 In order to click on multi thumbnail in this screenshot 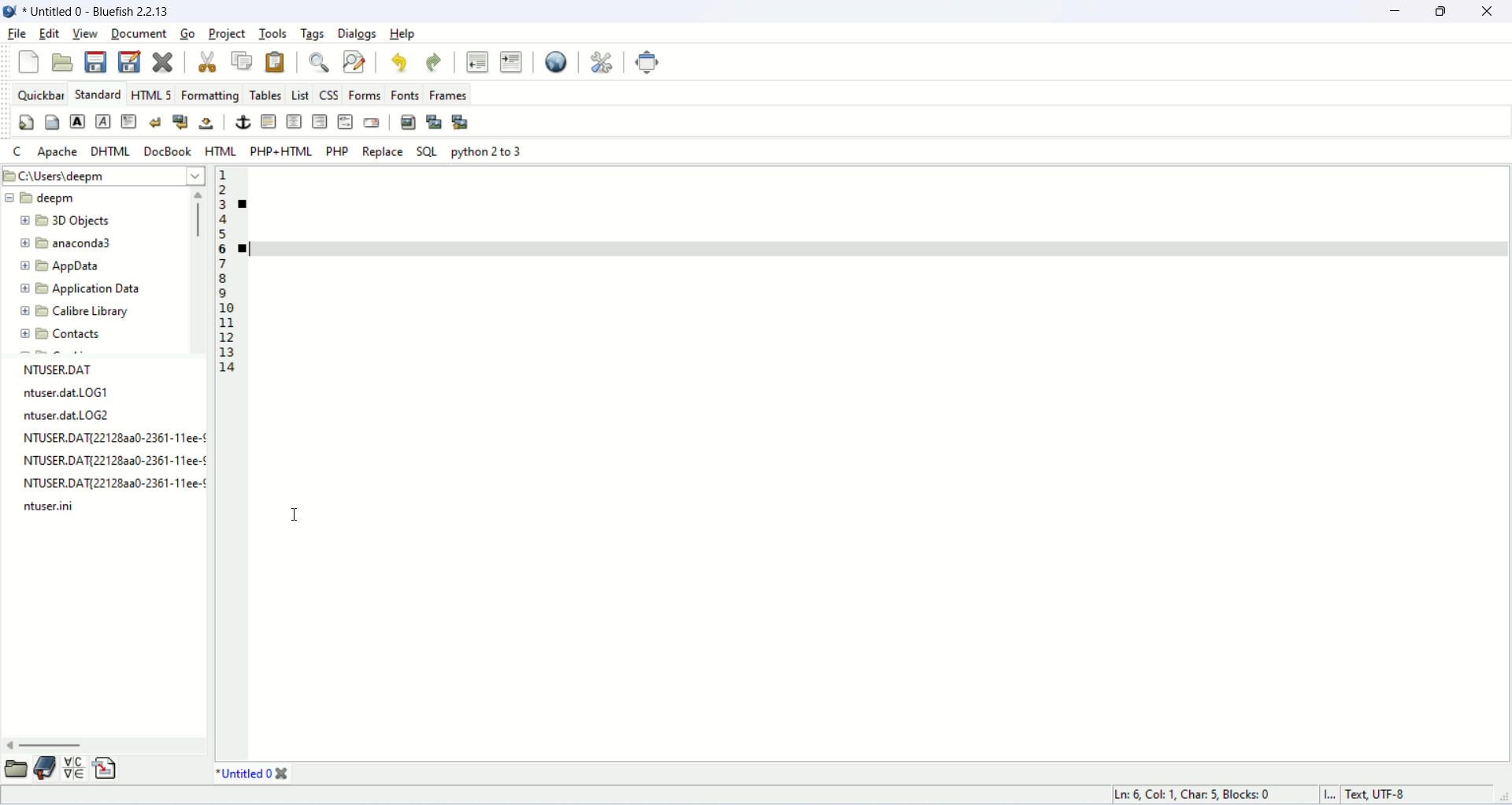, I will do `click(460, 121)`.